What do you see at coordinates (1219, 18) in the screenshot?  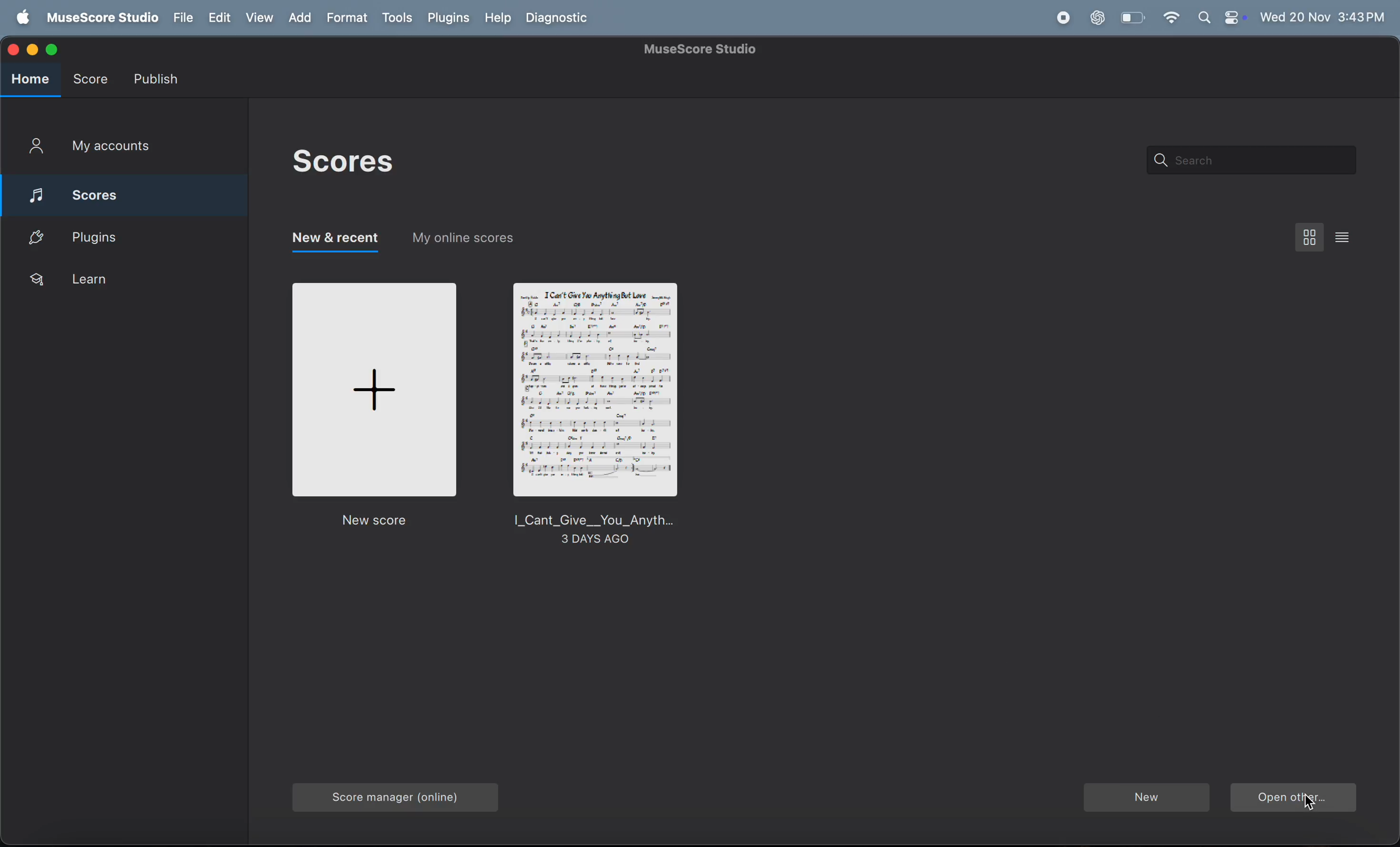 I see `apple widgets` at bounding box center [1219, 18].